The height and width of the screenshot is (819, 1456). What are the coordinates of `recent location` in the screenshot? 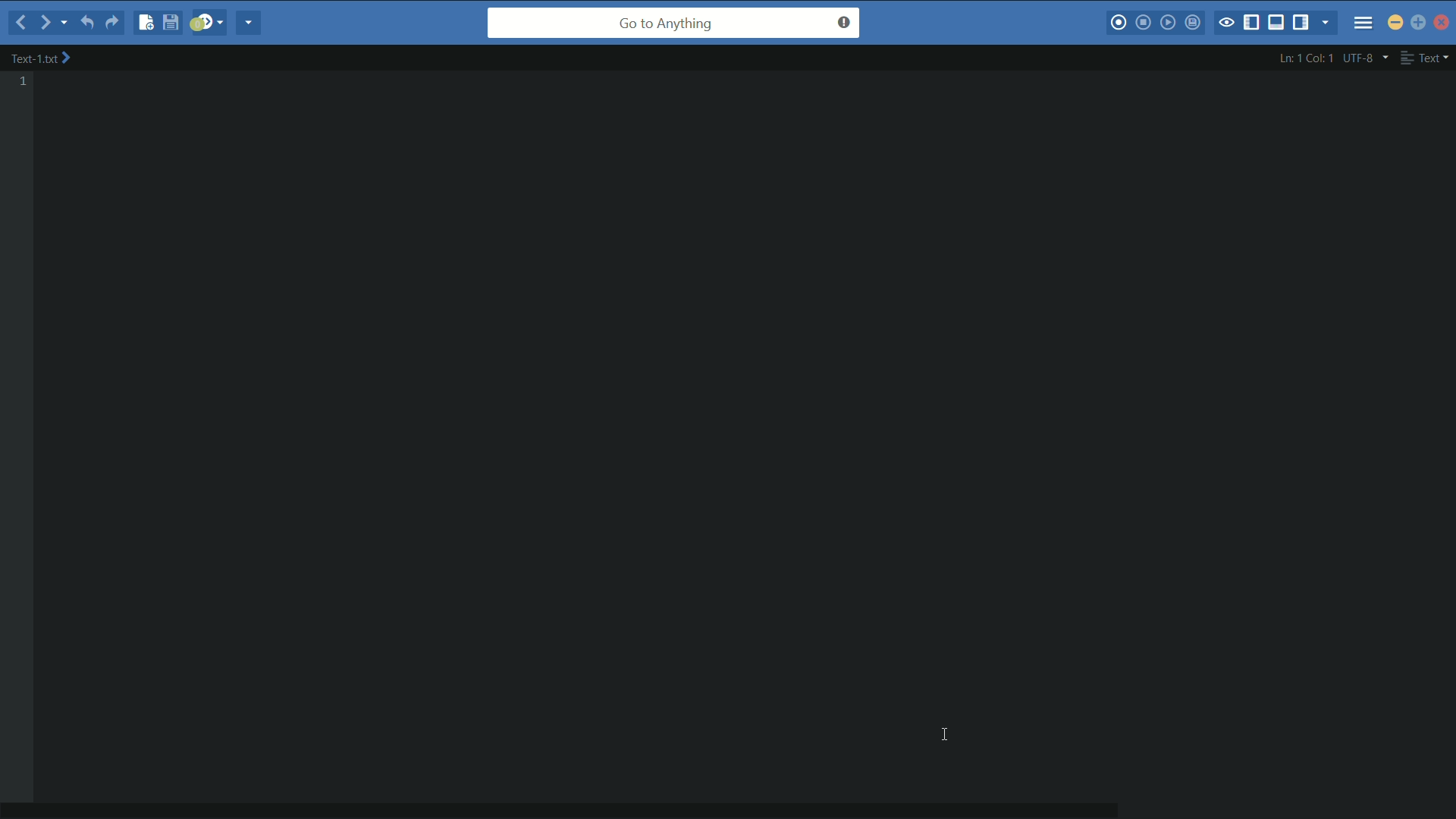 It's located at (64, 19).